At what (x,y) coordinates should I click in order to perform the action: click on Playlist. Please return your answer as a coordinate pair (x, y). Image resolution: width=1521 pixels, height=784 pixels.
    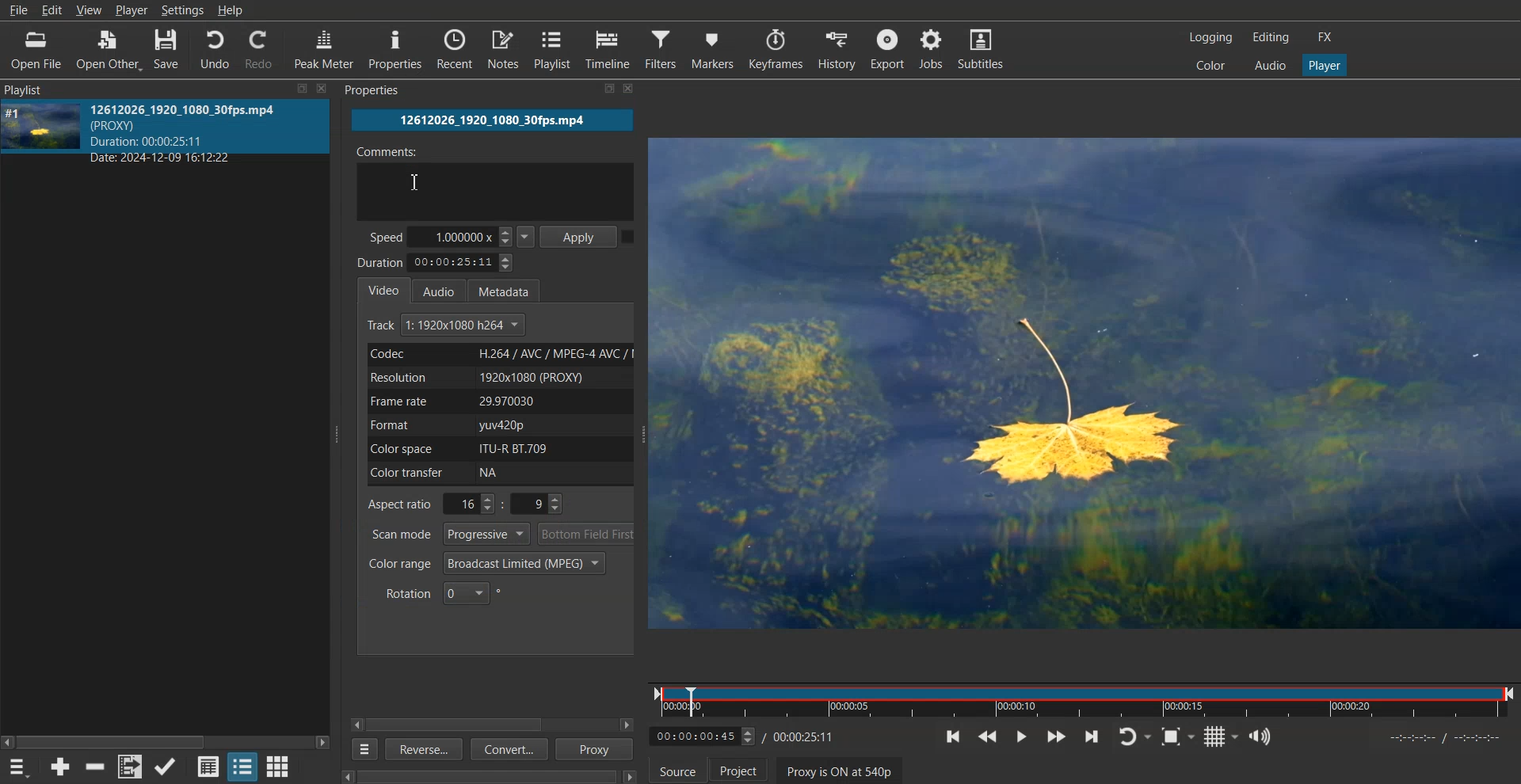
    Looking at the image, I should click on (554, 49).